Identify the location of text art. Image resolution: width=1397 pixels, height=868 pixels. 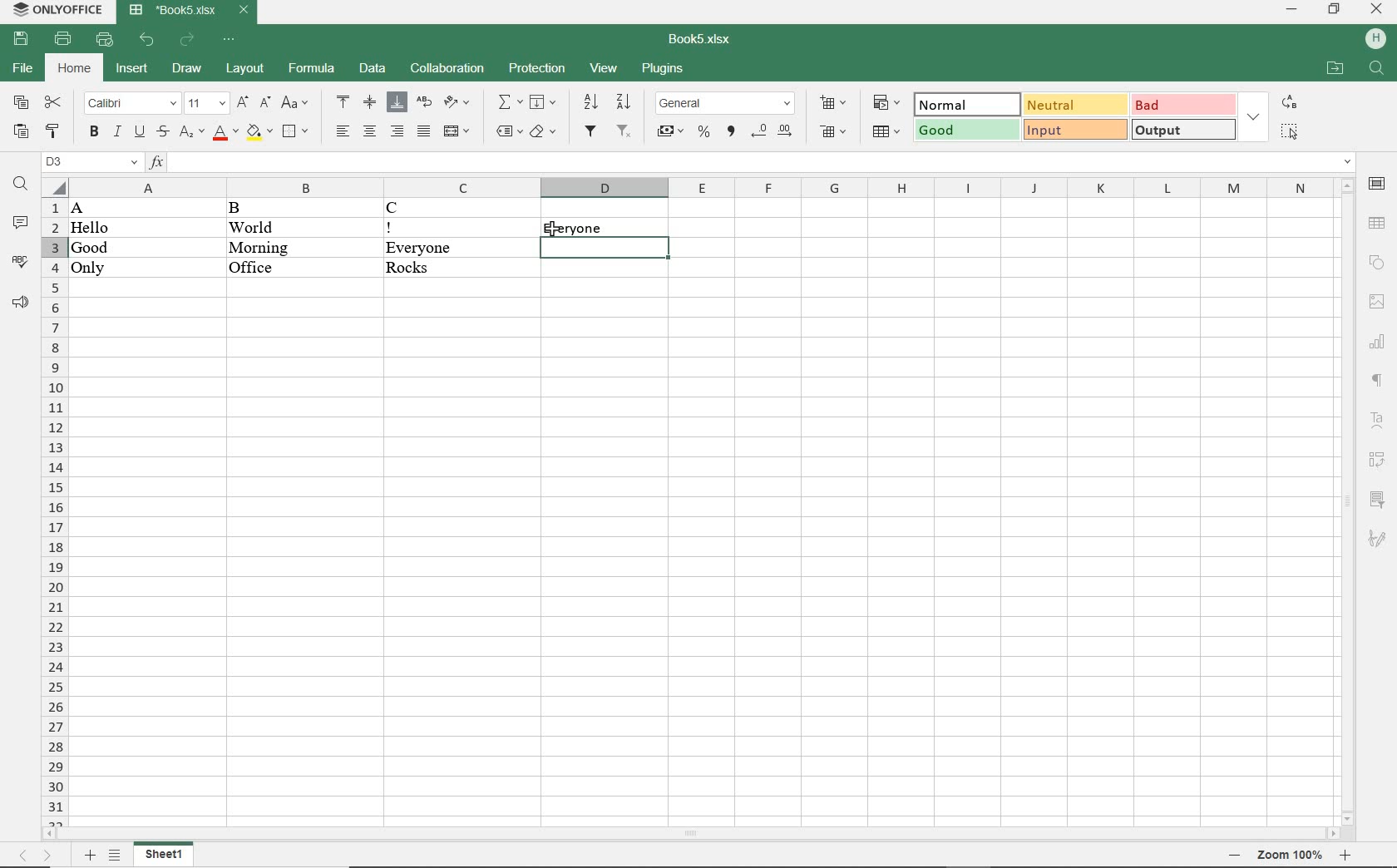
(1377, 419).